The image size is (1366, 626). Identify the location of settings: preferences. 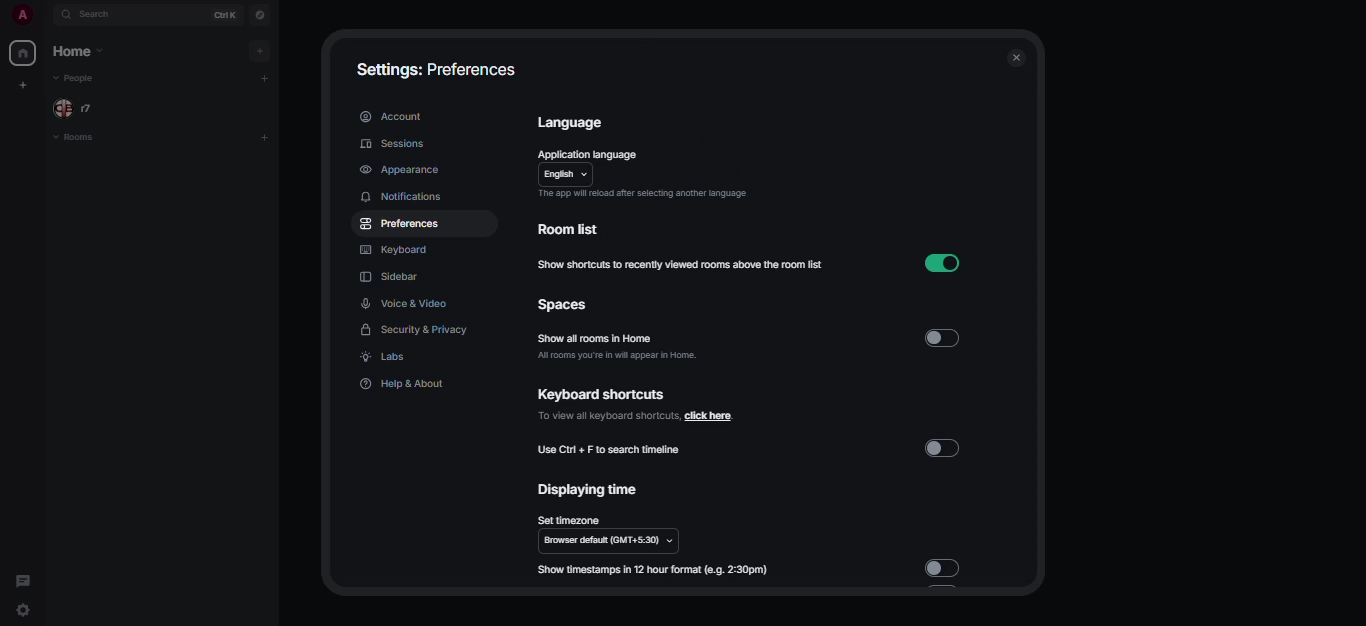
(439, 68).